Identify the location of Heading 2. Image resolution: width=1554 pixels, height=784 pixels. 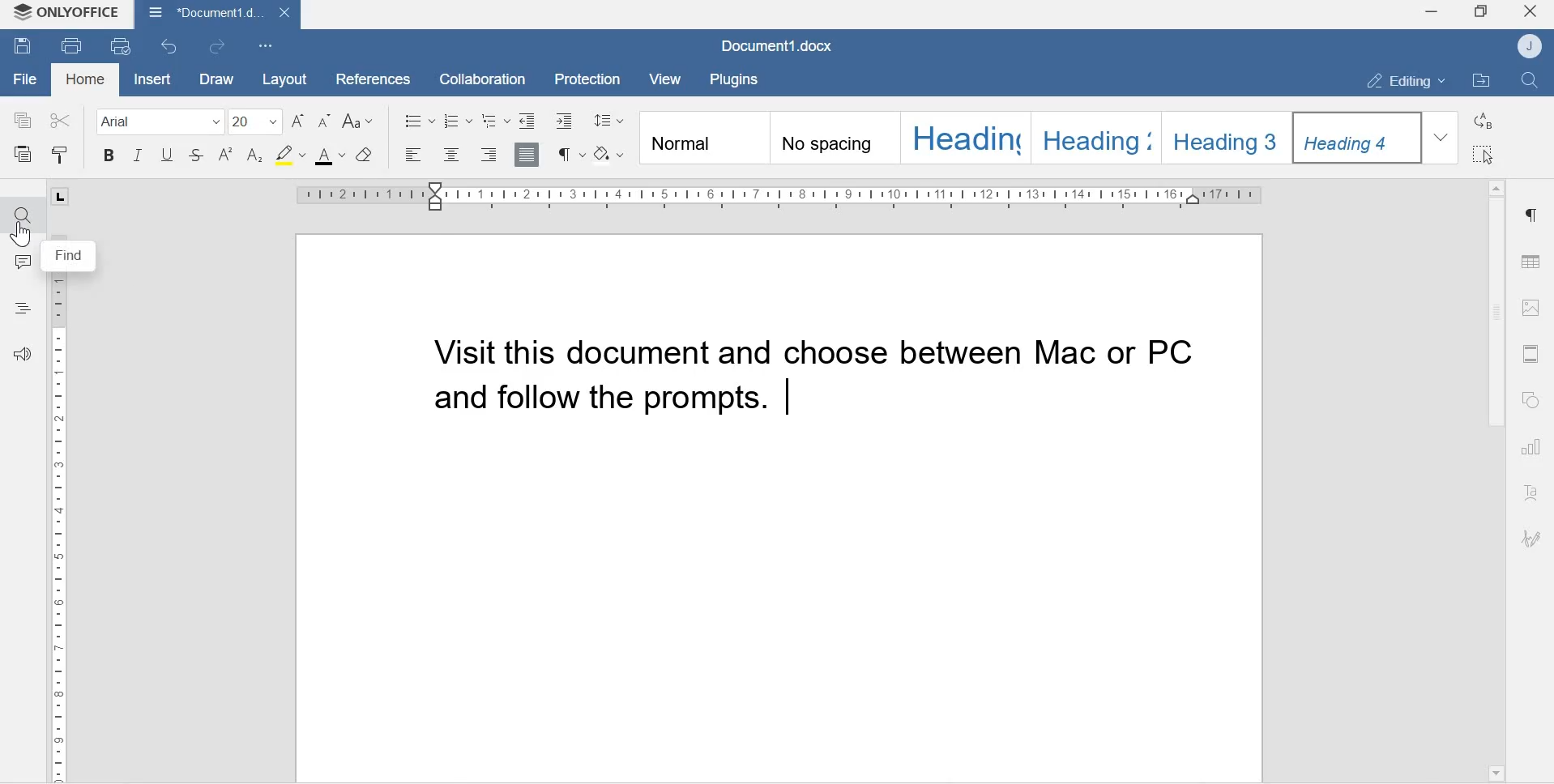
(1100, 136).